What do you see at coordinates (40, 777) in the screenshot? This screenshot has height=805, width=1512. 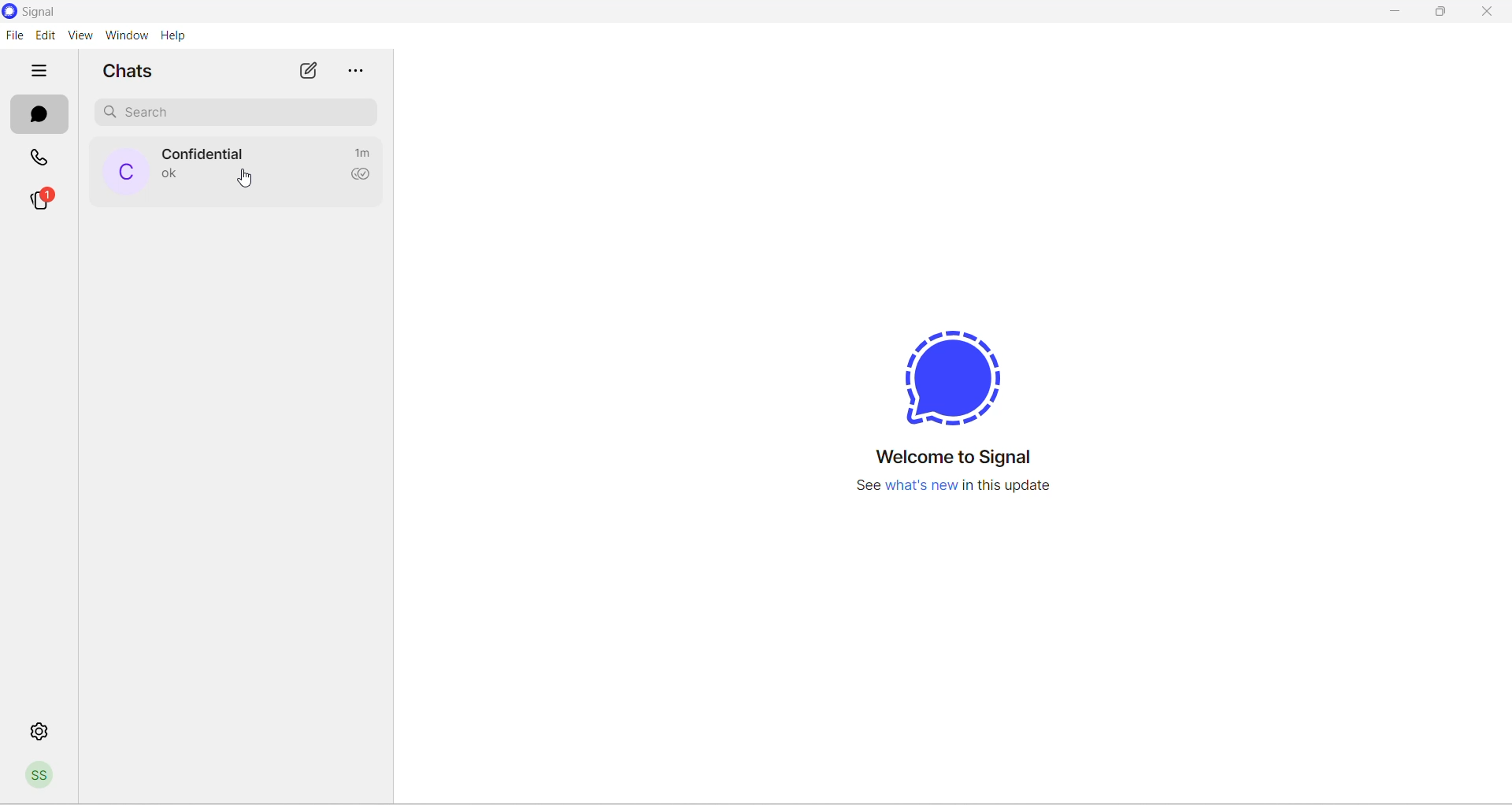 I see `profile` at bounding box center [40, 777].